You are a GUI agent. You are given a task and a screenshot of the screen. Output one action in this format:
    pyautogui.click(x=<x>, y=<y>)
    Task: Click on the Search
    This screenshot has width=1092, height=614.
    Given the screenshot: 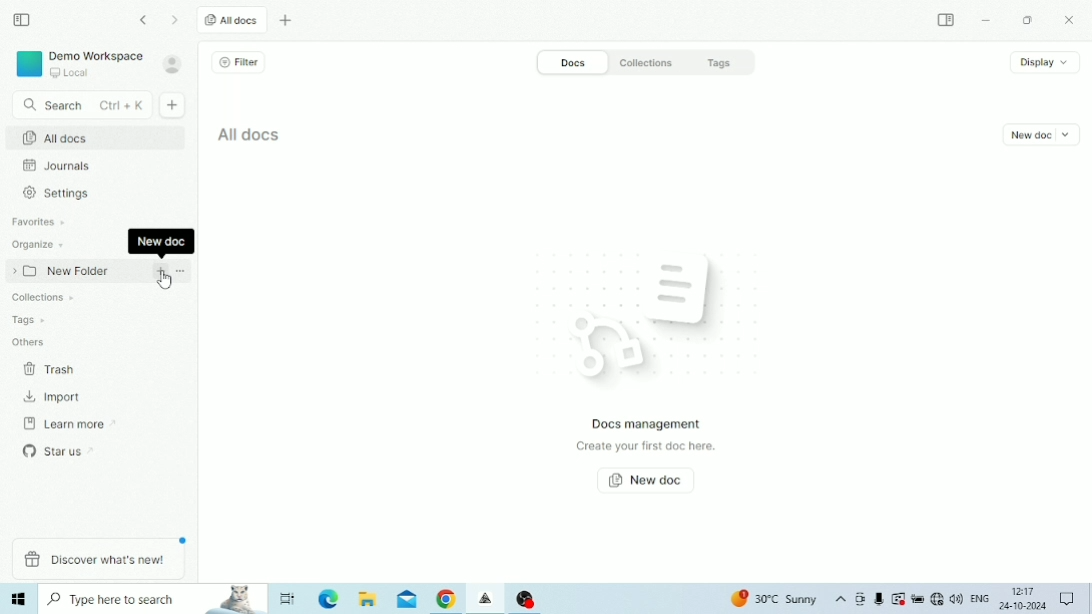 What is the action you would take?
    pyautogui.click(x=81, y=106)
    